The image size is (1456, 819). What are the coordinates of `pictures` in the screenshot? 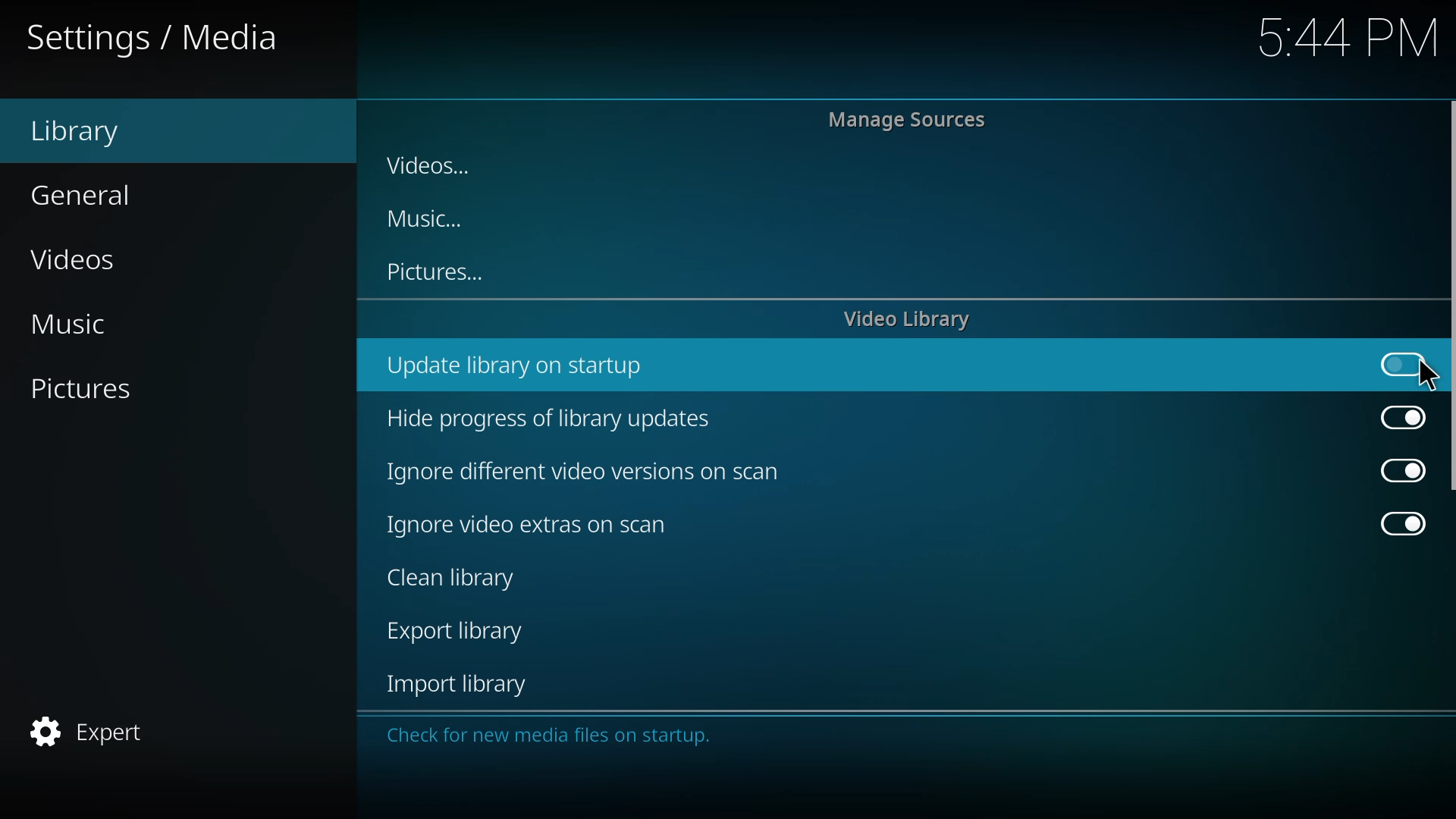 It's located at (434, 270).